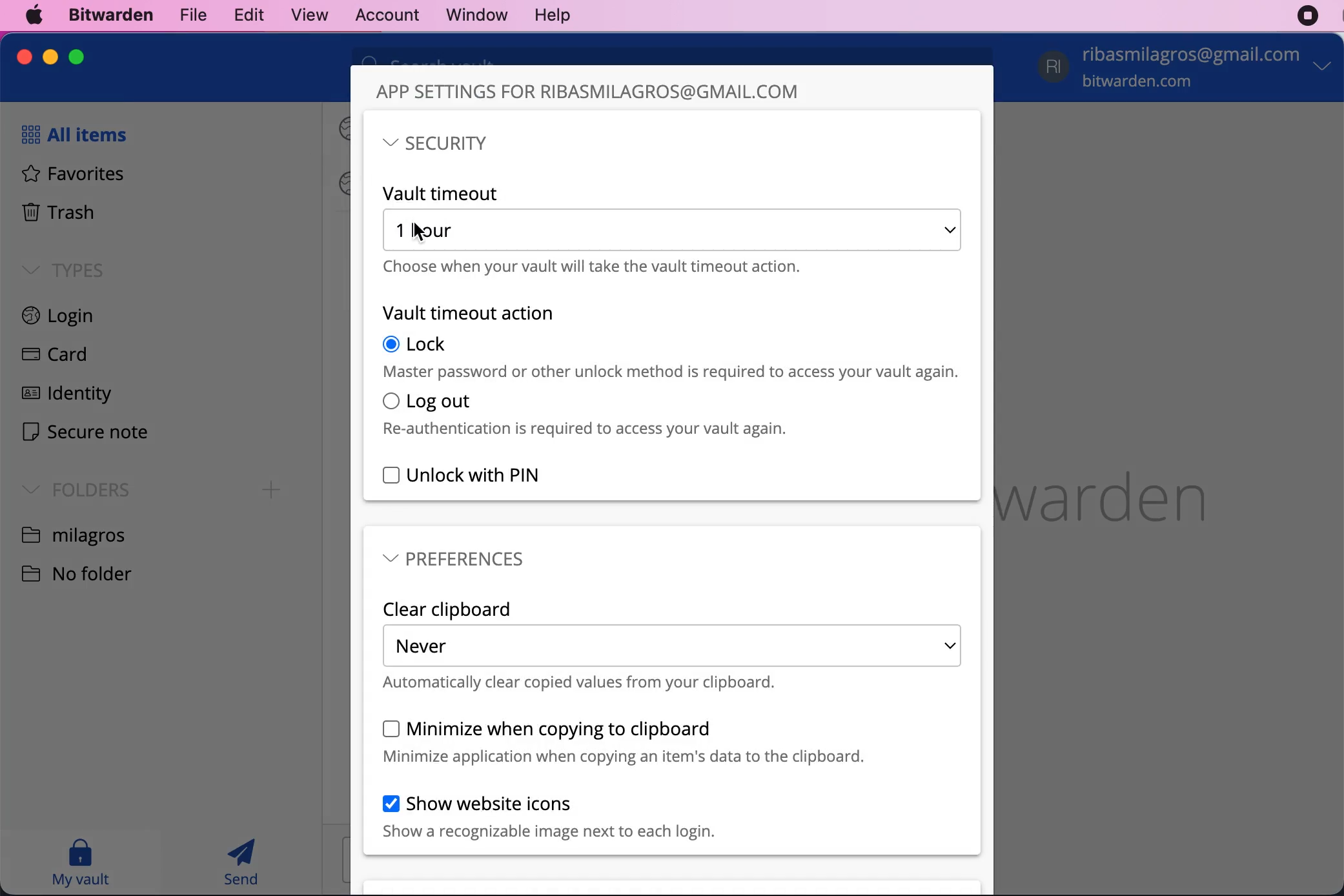 The width and height of the screenshot is (1344, 896). What do you see at coordinates (449, 609) in the screenshot?
I see `clear clipboard` at bounding box center [449, 609].